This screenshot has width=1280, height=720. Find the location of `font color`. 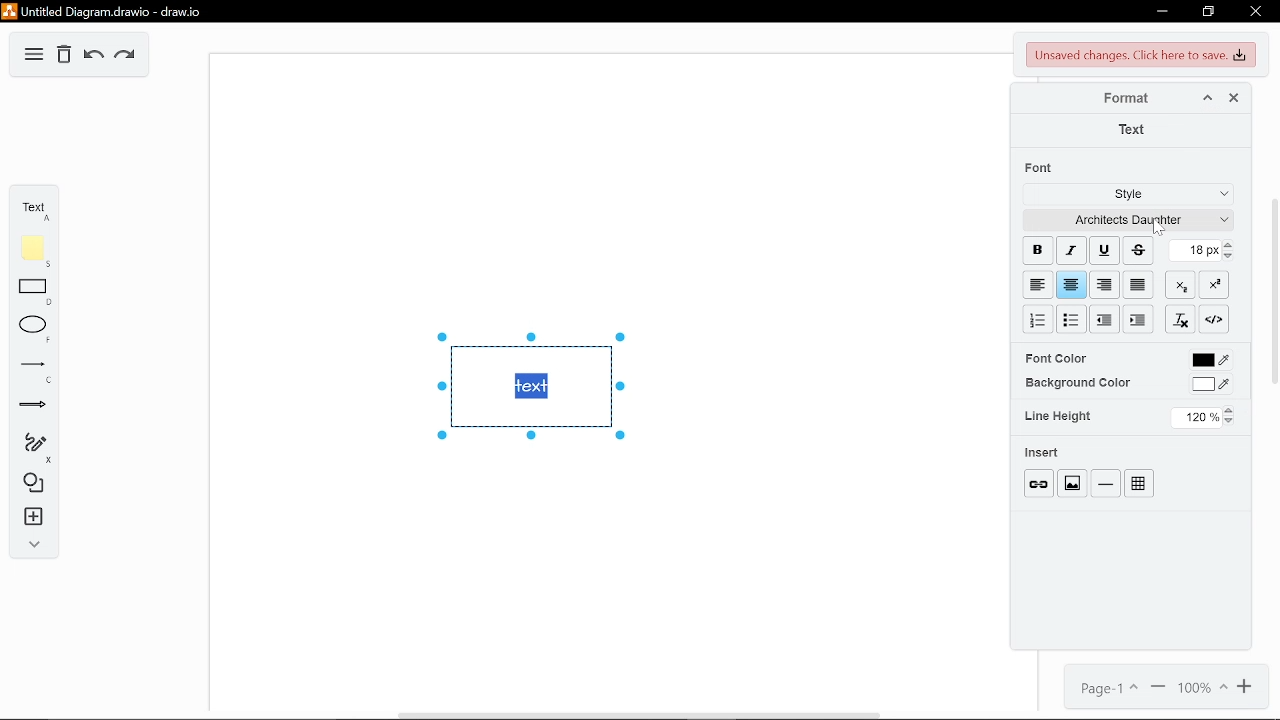

font color is located at coordinates (1210, 362).